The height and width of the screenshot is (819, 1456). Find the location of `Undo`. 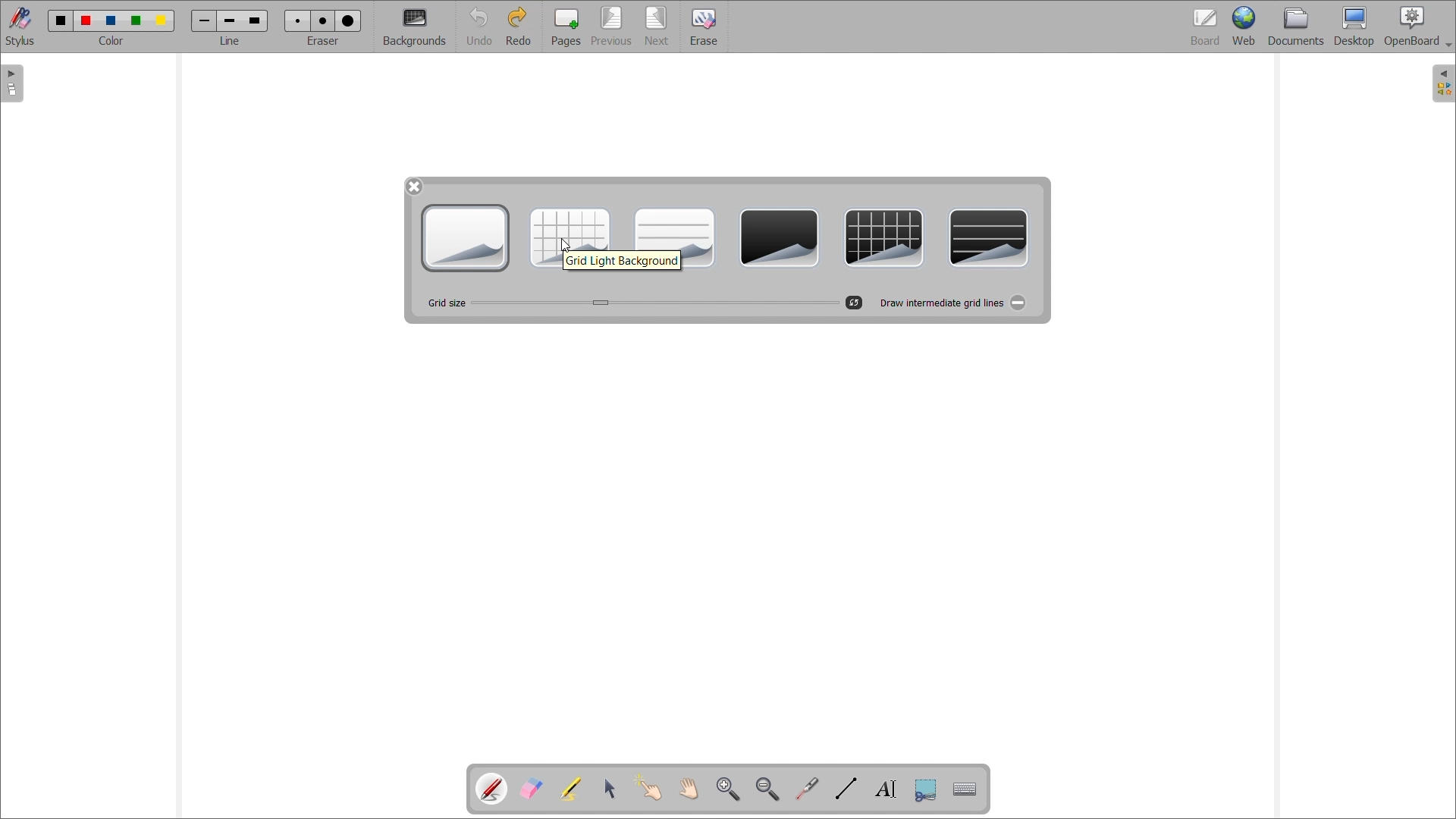

Undo is located at coordinates (479, 27).